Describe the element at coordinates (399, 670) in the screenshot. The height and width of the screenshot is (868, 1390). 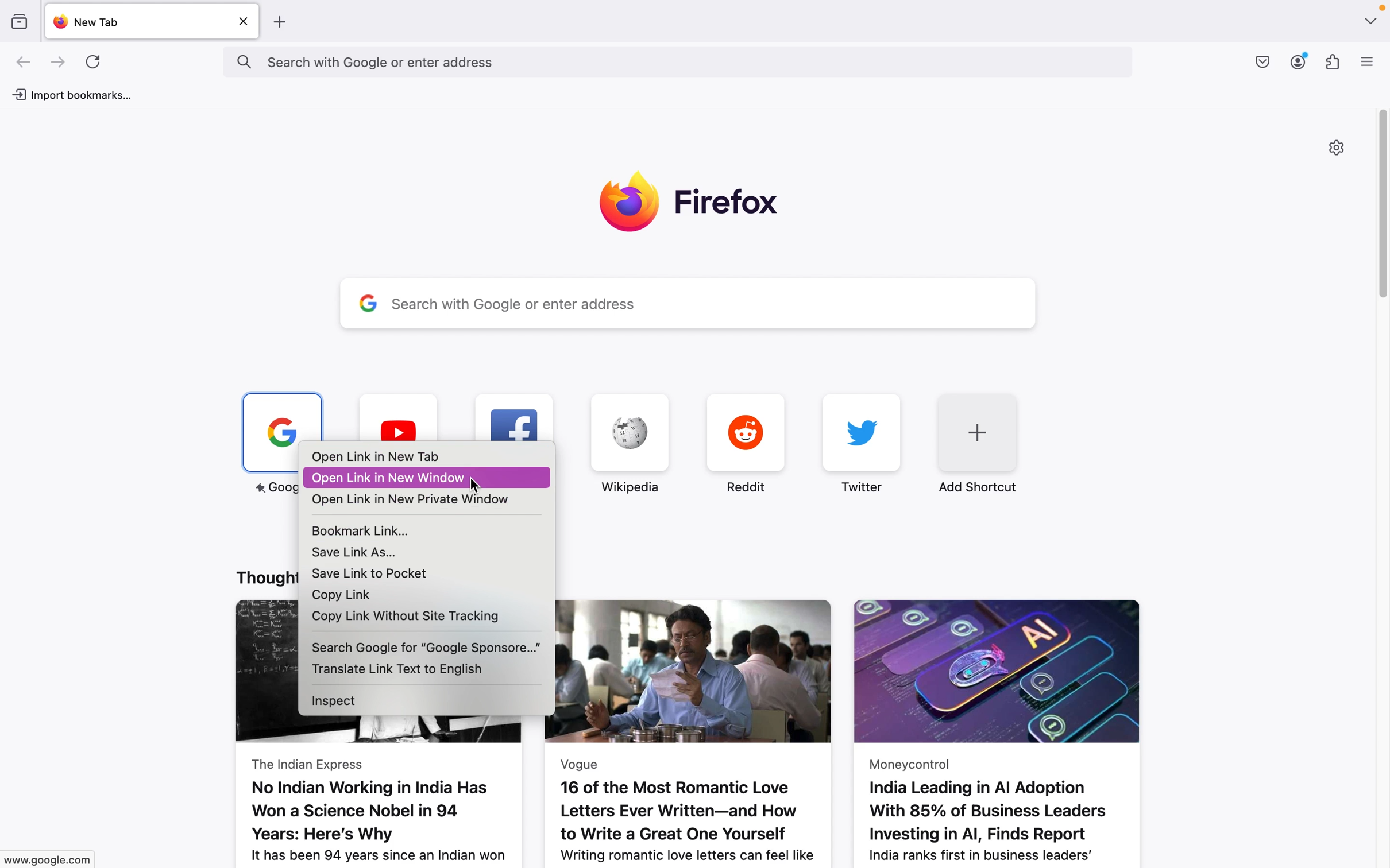
I see `translate link text to english` at that location.